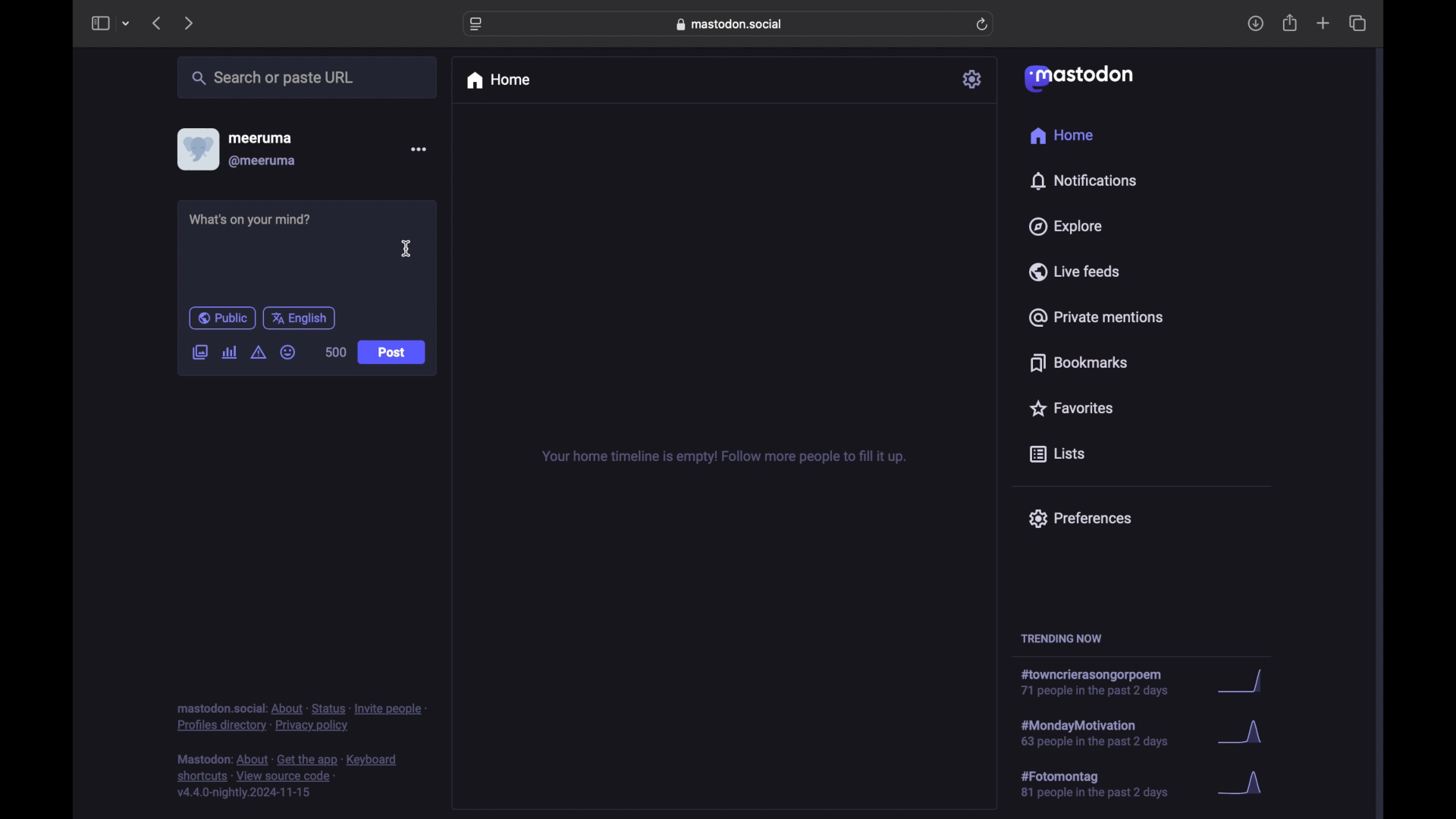 The image size is (1456, 819). What do you see at coordinates (1109, 732) in the screenshot?
I see `hashtag  trend` at bounding box center [1109, 732].